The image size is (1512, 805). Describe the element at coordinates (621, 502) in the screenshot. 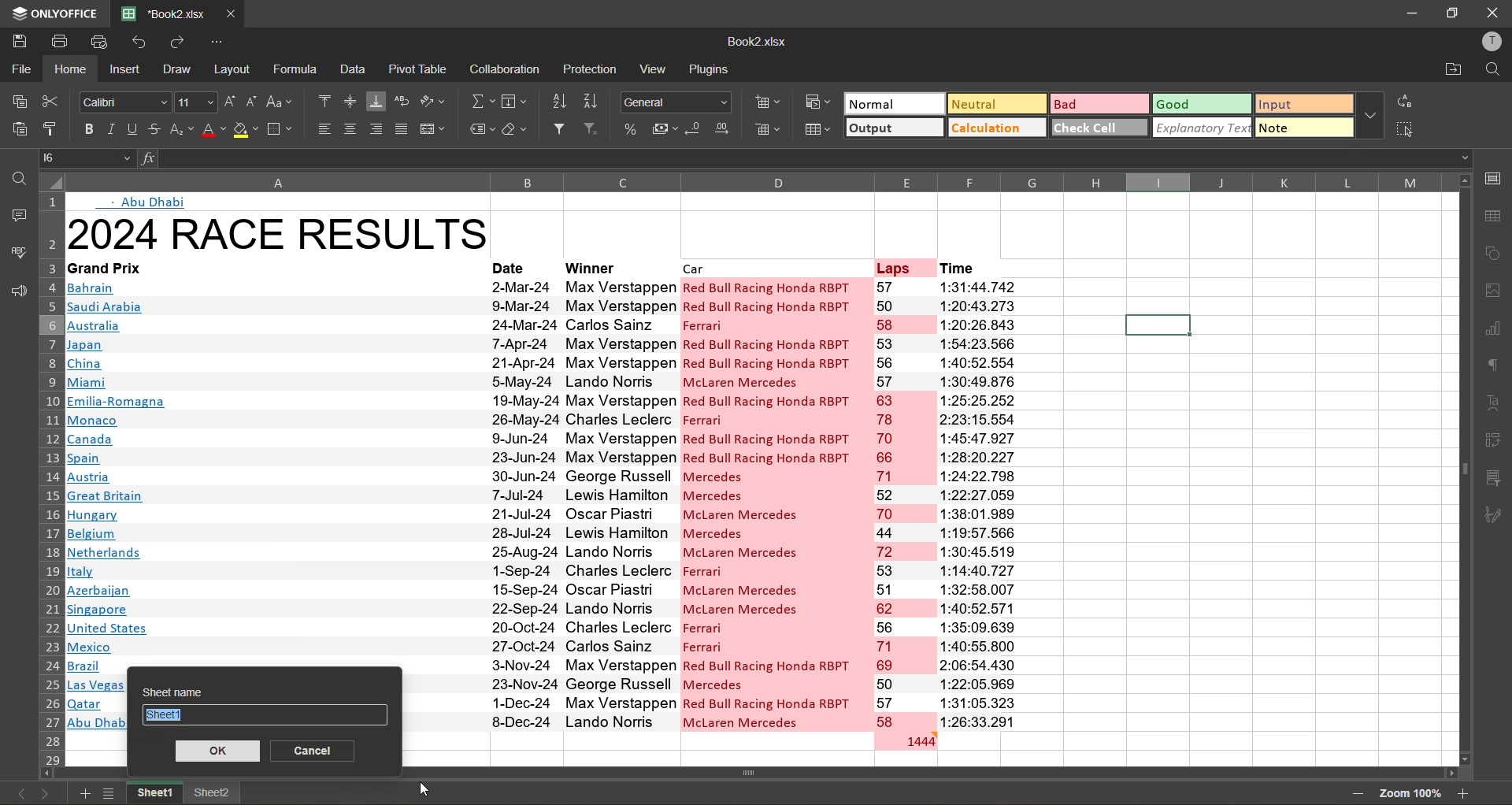

I see `winner name` at that location.